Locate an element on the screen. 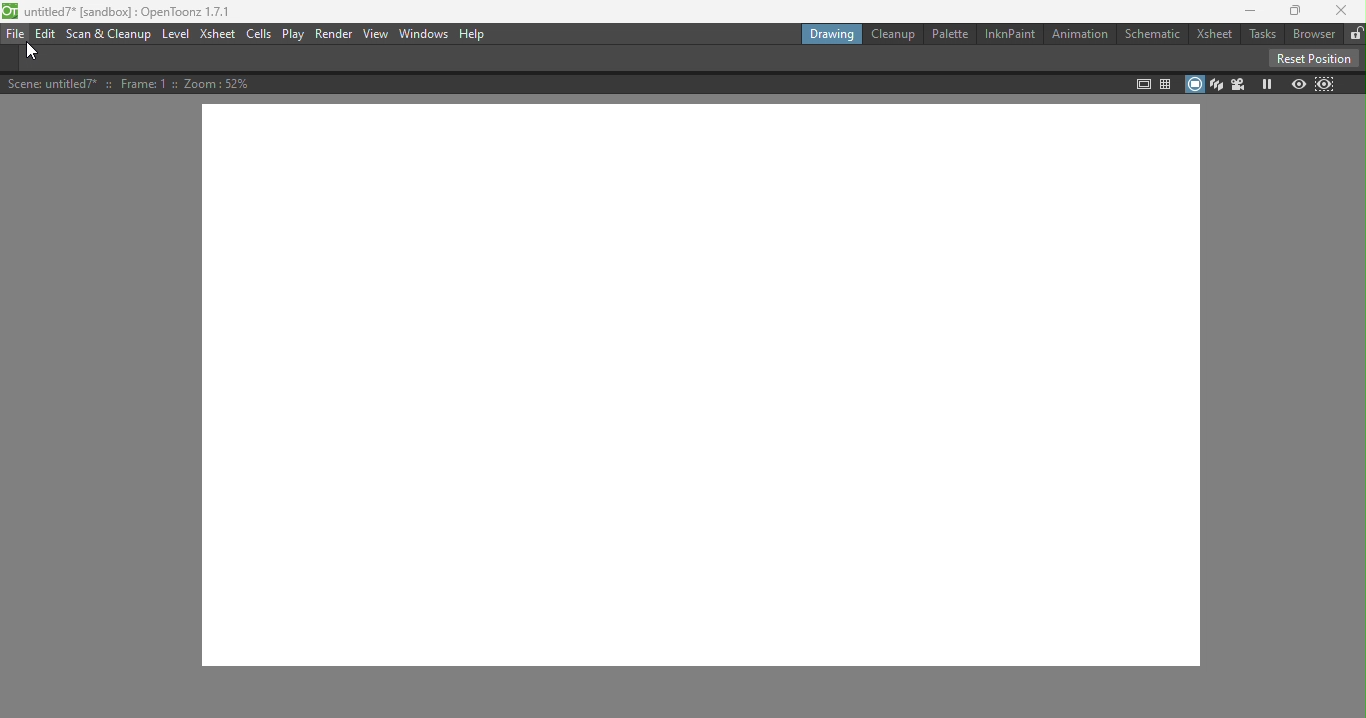  File is located at coordinates (15, 35).